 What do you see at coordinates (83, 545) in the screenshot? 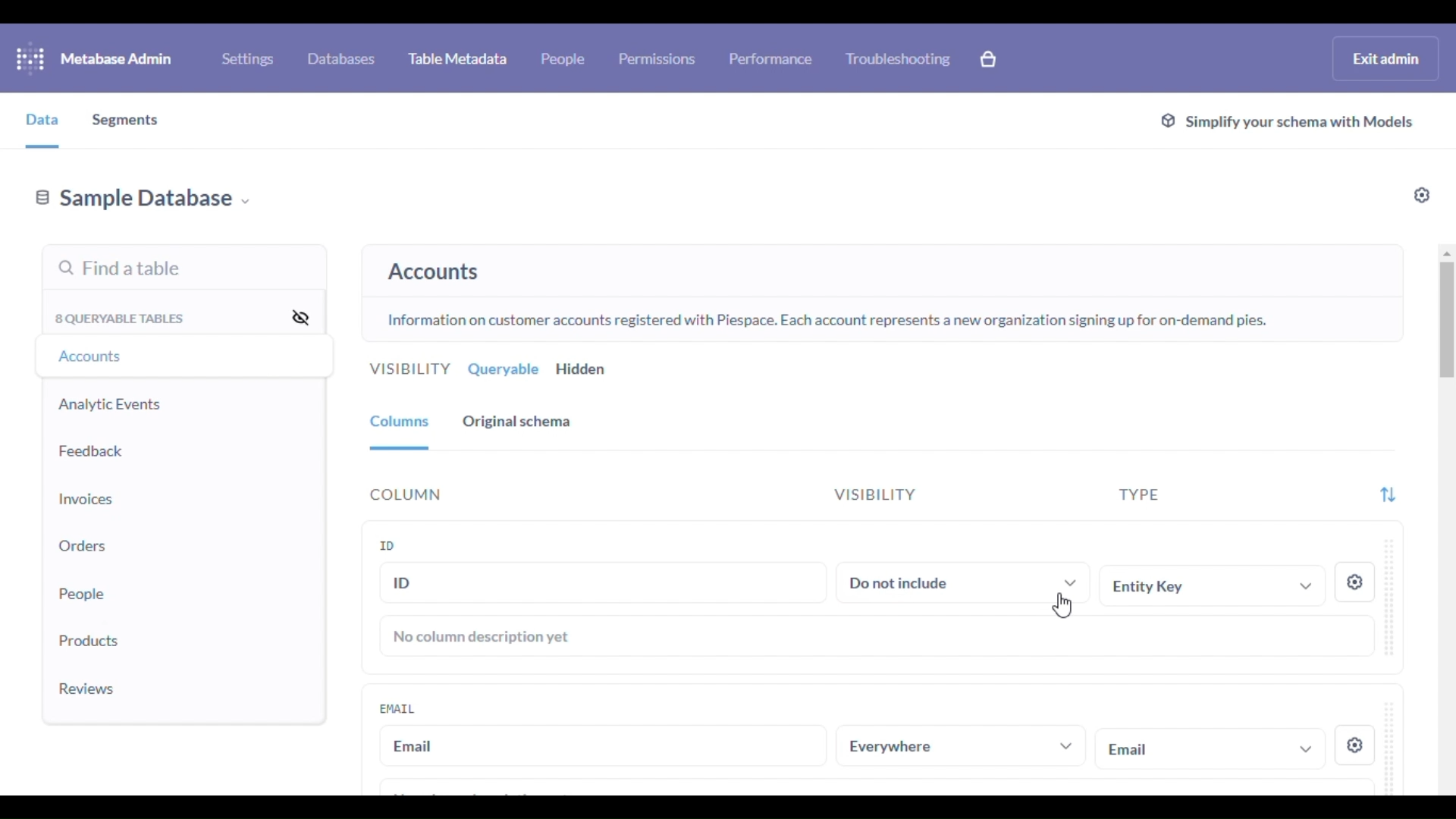
I see `orders` at bounding box center [83, 545].